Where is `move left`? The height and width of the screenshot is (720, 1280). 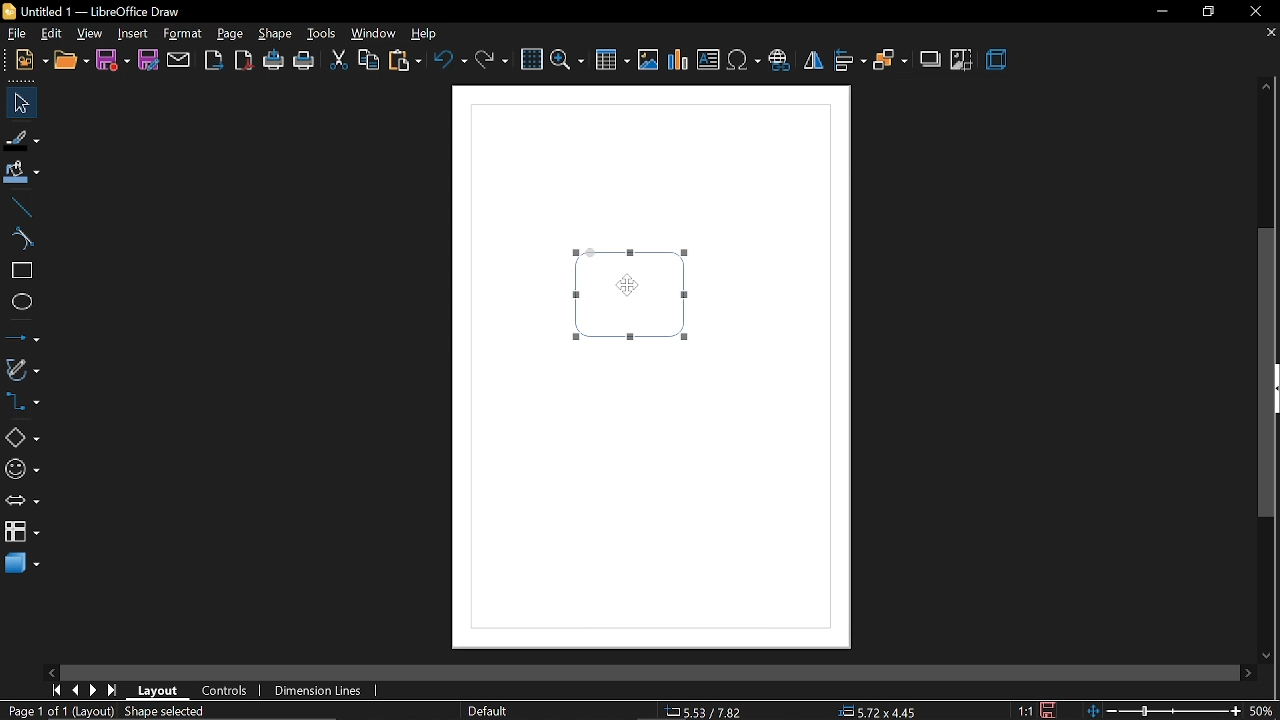 move left is located at coordinates (54, 670).